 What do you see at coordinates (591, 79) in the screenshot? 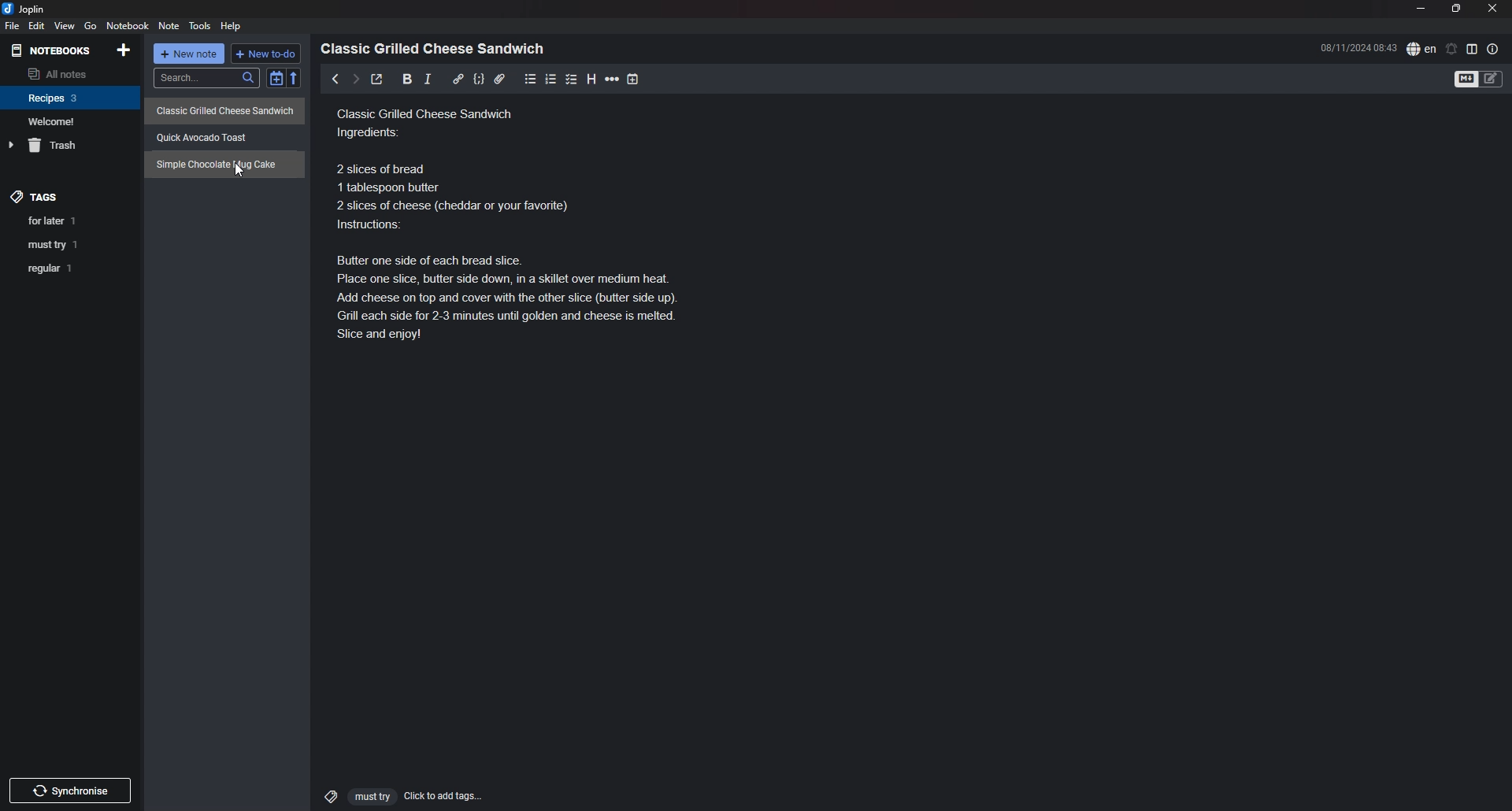
I see `heading` at bounding box center [591, 79].